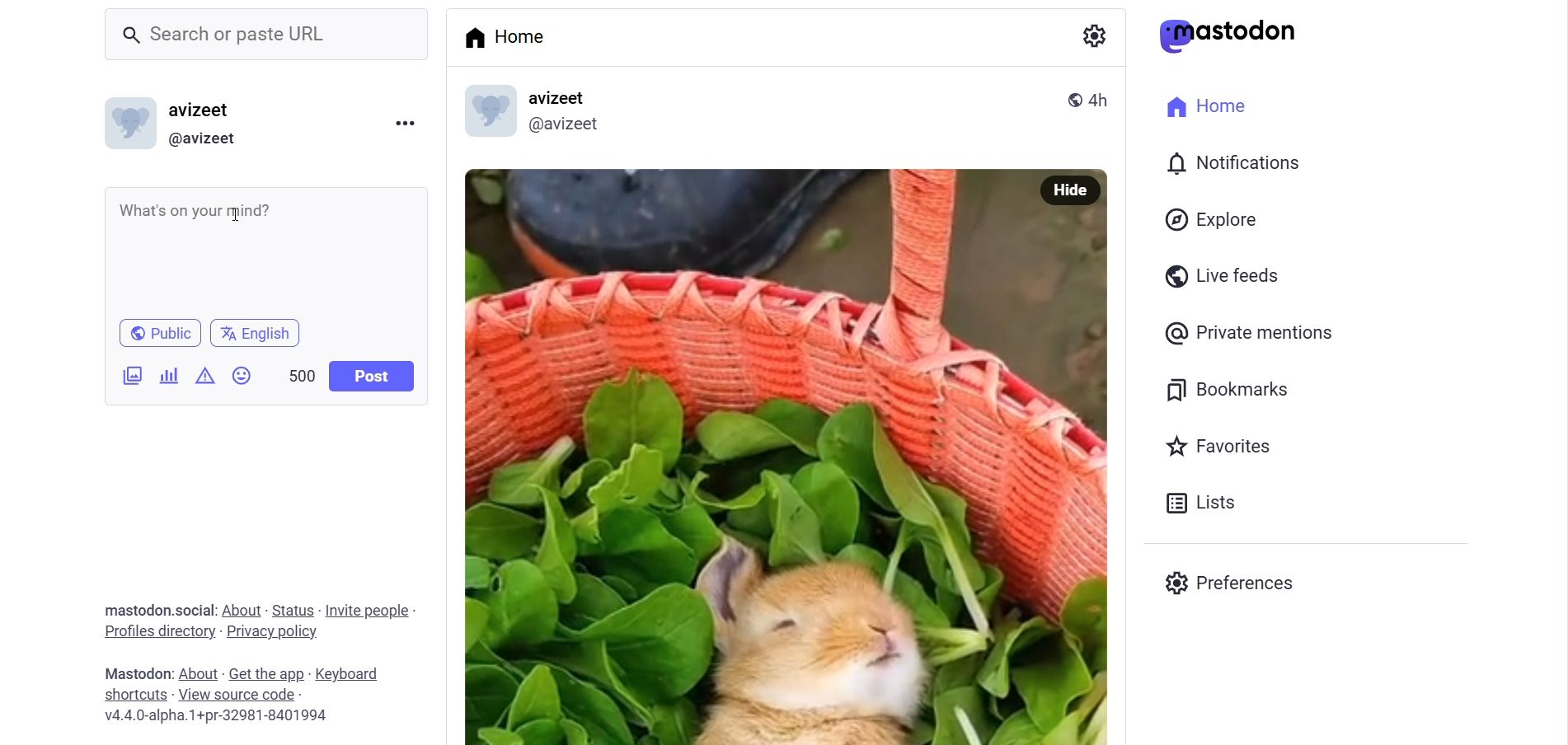 This screenshot has height=745, width=1568. Describe the element at coordinates (1212, 218) in the screenshot. I see `Explore` at that location.